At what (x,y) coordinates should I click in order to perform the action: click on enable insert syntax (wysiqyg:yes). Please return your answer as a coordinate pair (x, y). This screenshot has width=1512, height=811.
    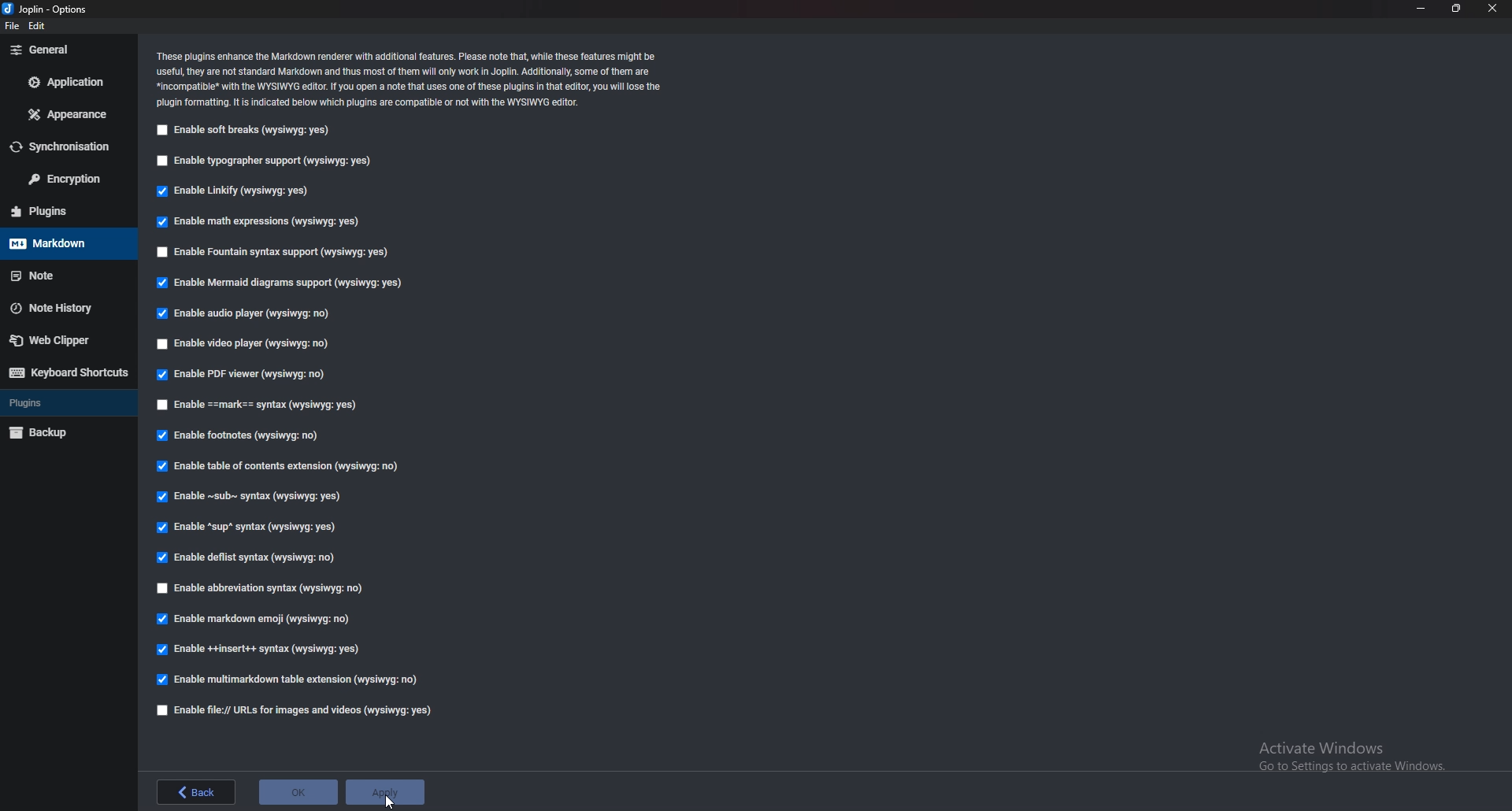
    Looking at the image, I should click on (261, 650).